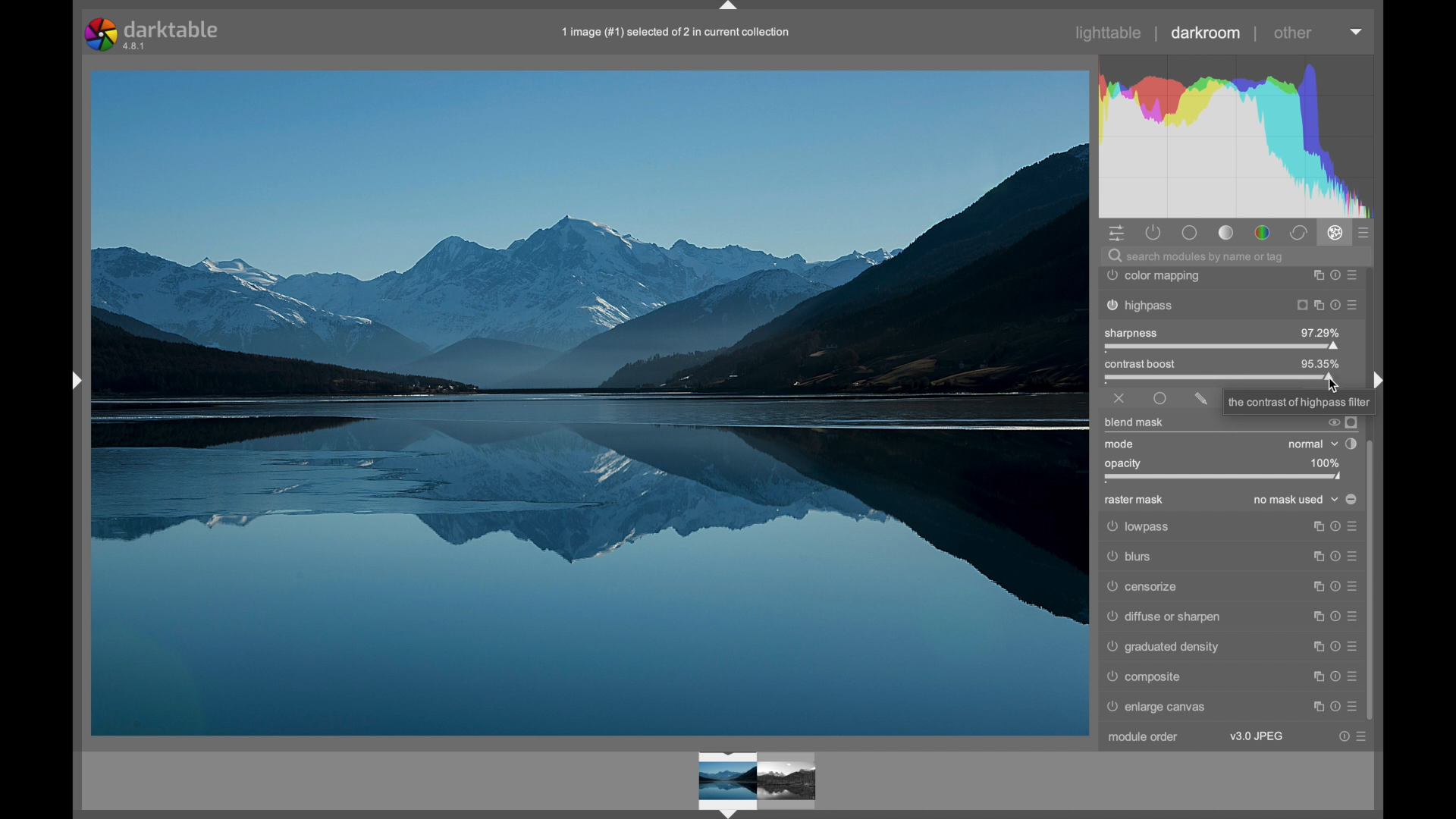 This screenshot has height=819, width=1456. Describe the element at coordinates (1119, 234) in the screenshot. I see `quick access panel` at that location.